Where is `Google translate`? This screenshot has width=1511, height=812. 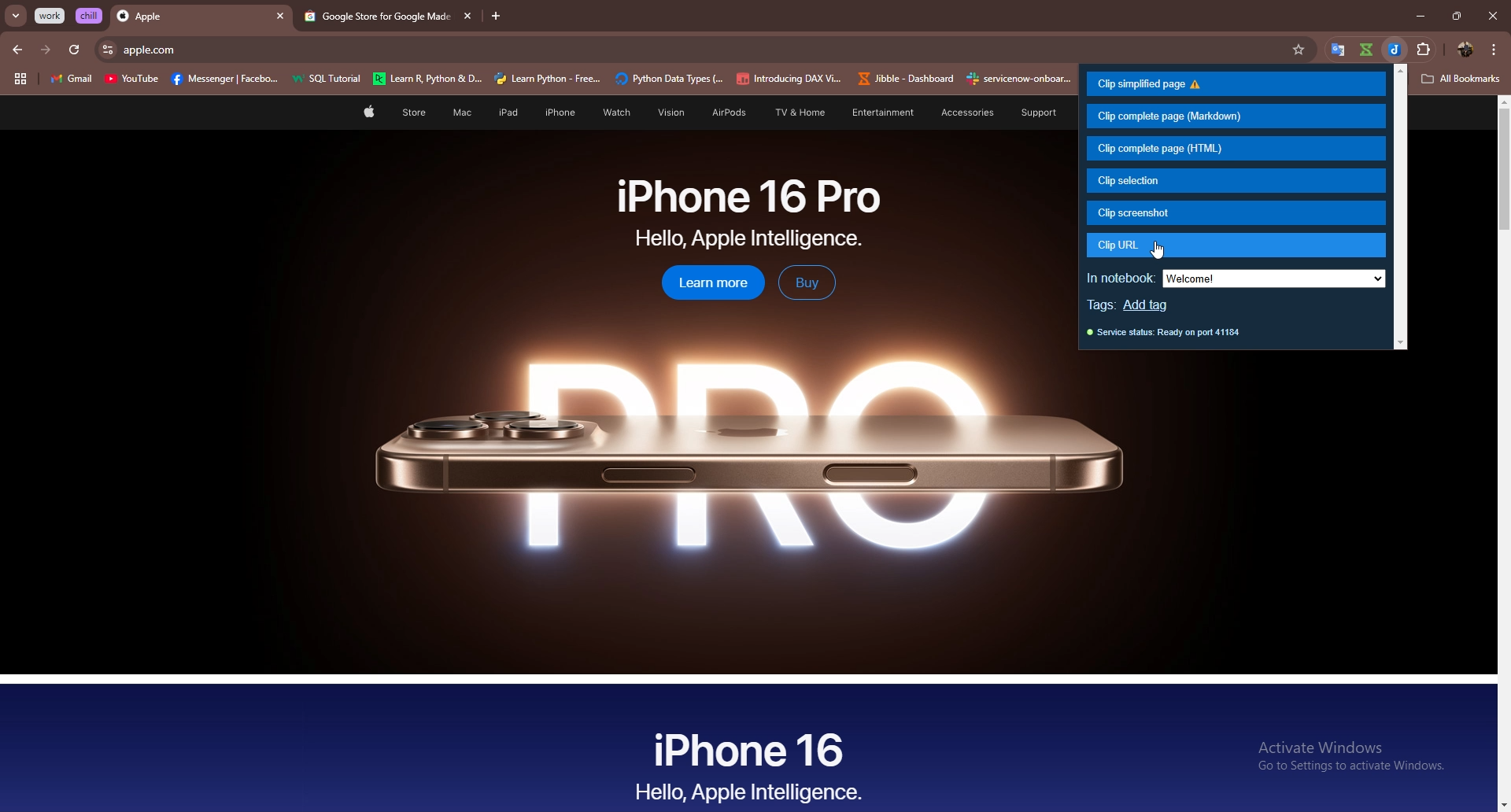 Google translate is located at coordinates (1339, 50).